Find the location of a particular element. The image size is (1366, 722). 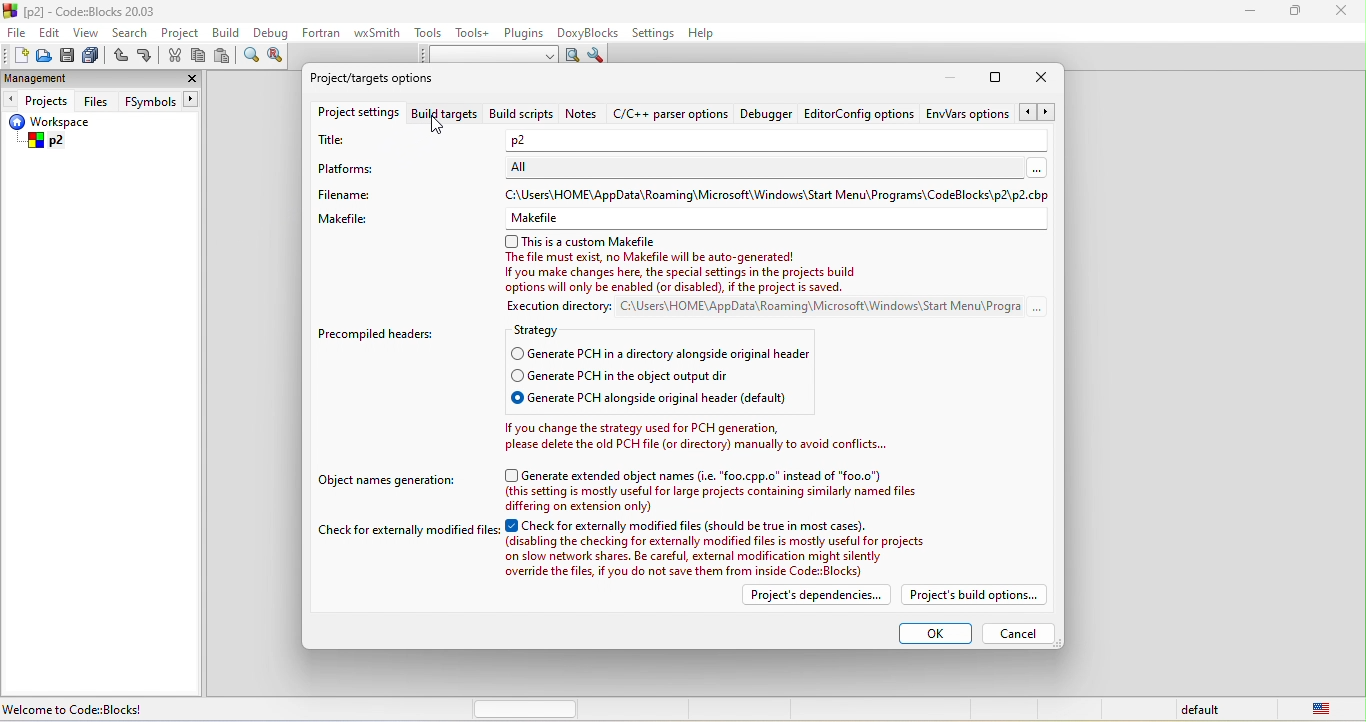

generate pch in a directory alongside original header is located at coordinates (661, 354).